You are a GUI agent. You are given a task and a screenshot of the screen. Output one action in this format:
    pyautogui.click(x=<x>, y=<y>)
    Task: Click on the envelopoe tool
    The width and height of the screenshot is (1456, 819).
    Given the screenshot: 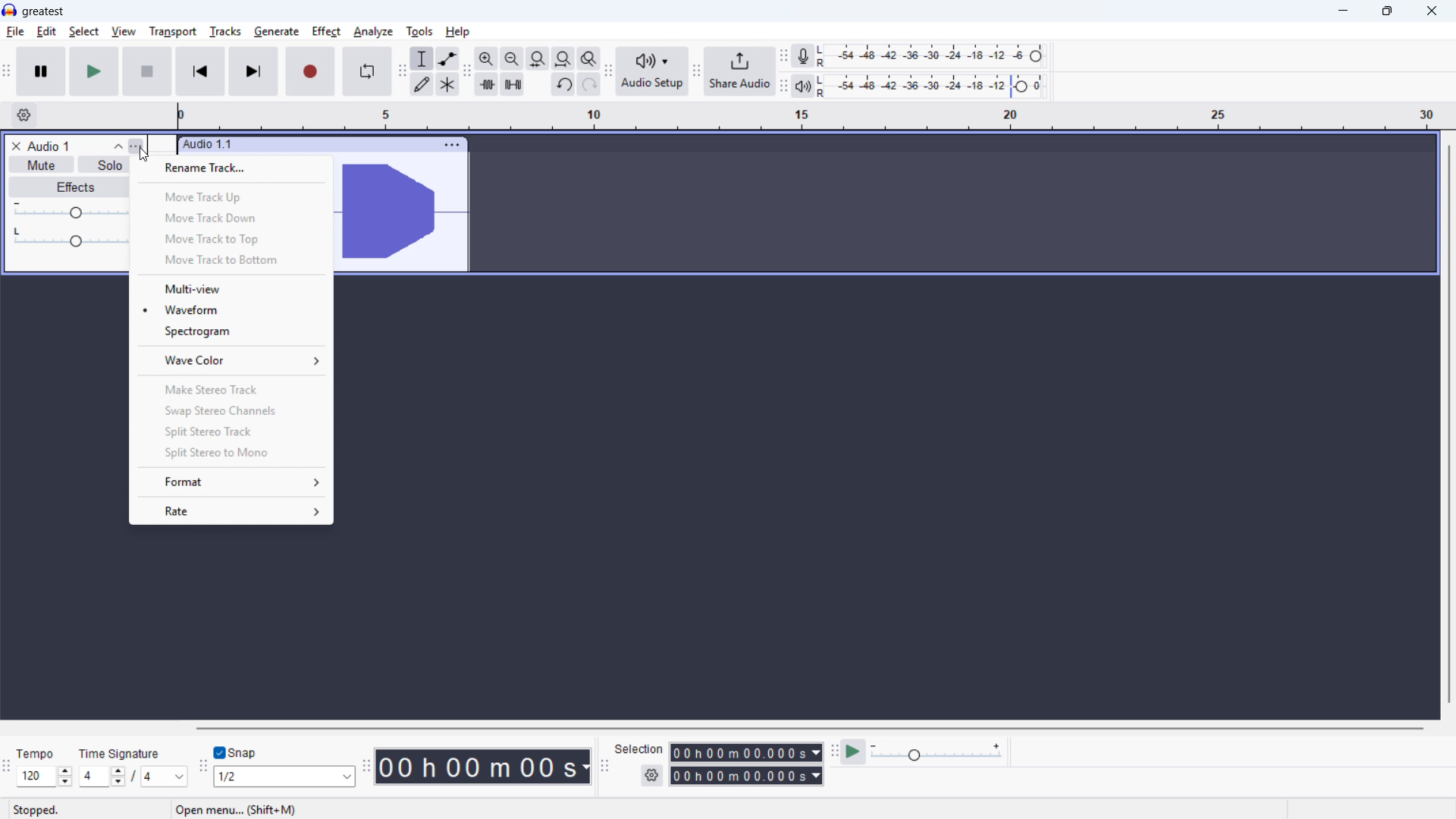 What is the action you would take?
    pyautogui.click(x=448, y=58)
    